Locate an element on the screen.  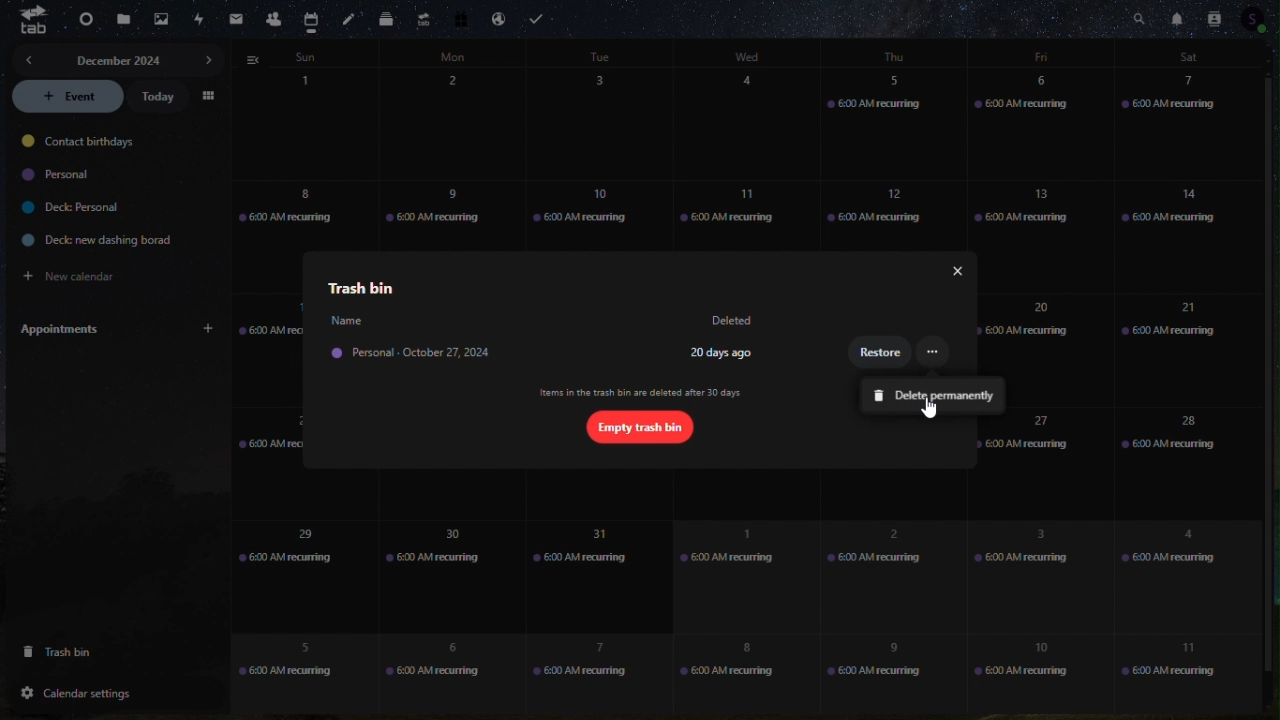
4 is located at coordinates (1178, 565).